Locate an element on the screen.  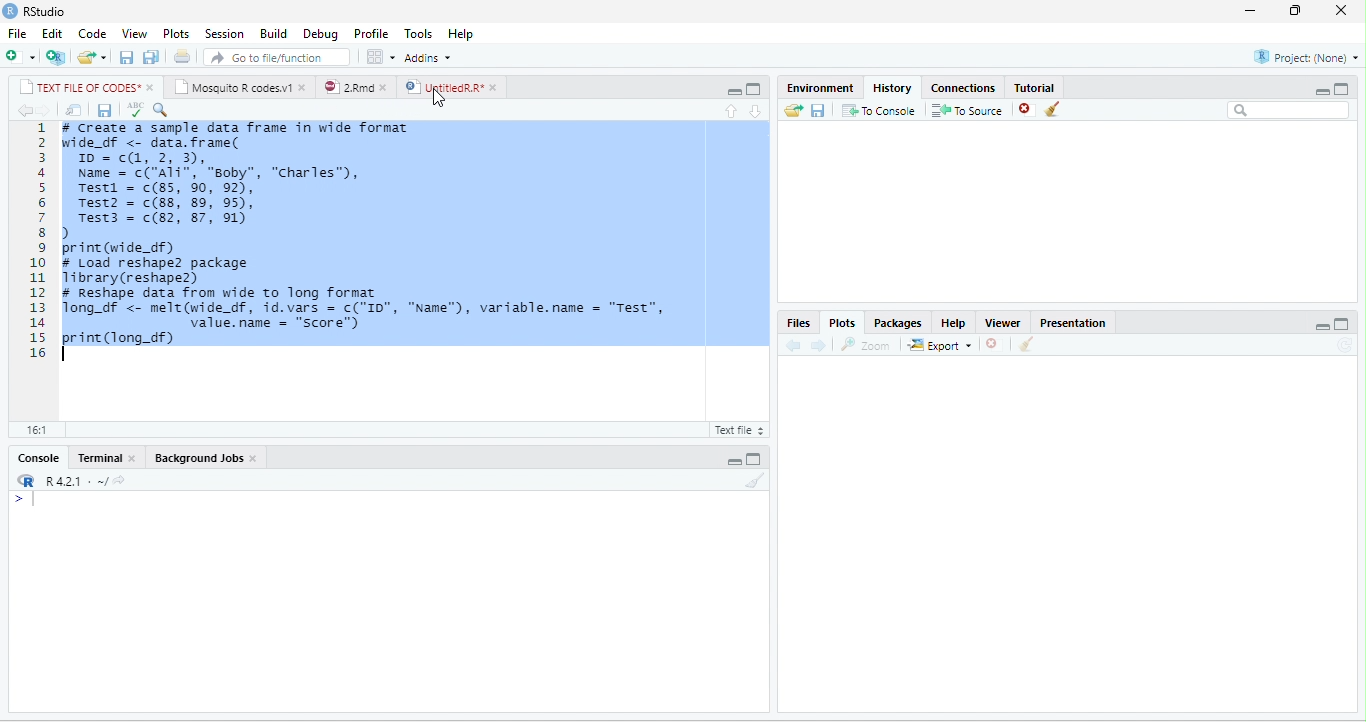
open folder is located at coordinates (794, 110).